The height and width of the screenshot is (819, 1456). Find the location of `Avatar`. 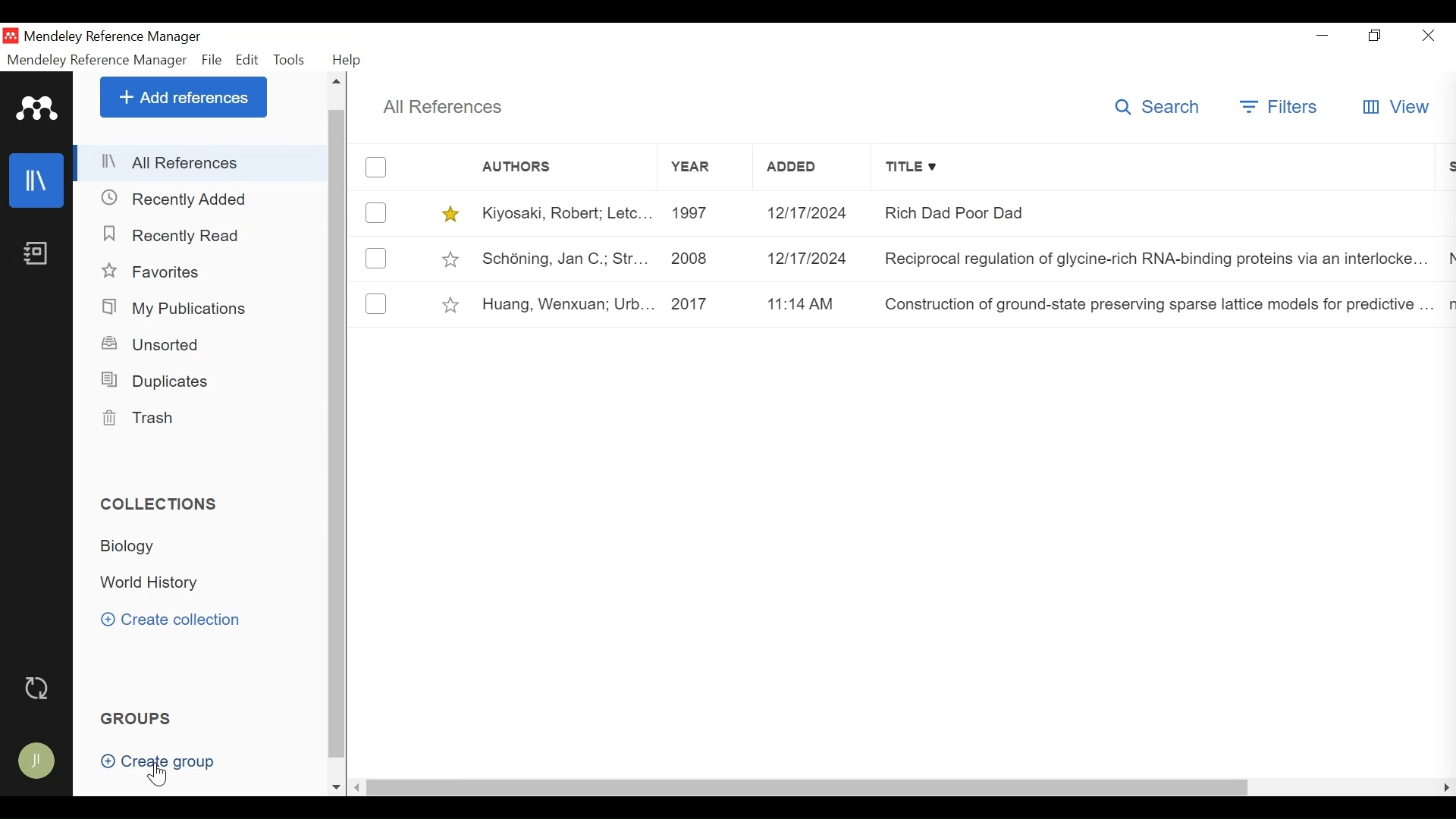

Avatar is located at coordinates (38, 762).